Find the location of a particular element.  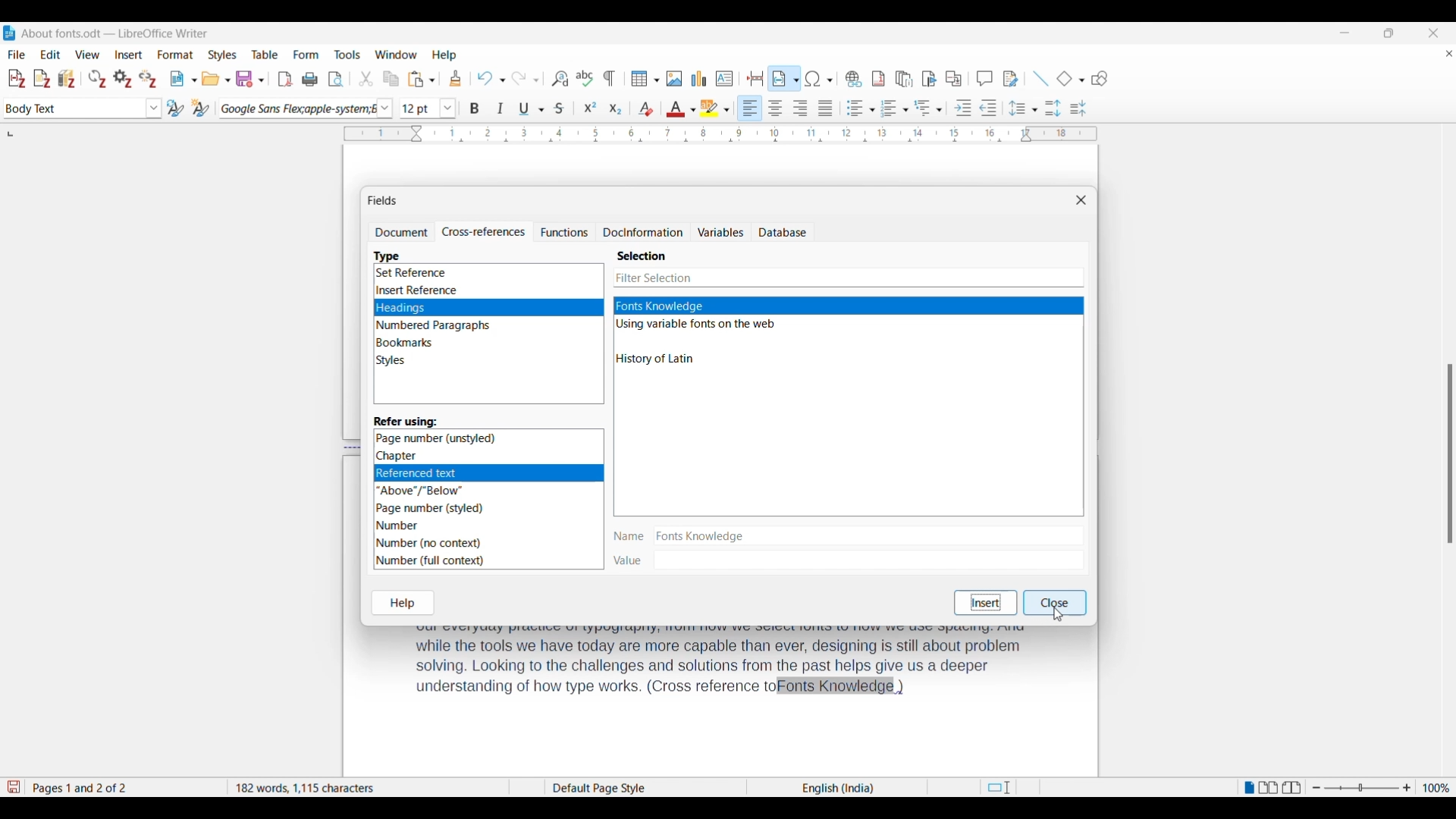

Align justified is located at coordinates (826, 108).